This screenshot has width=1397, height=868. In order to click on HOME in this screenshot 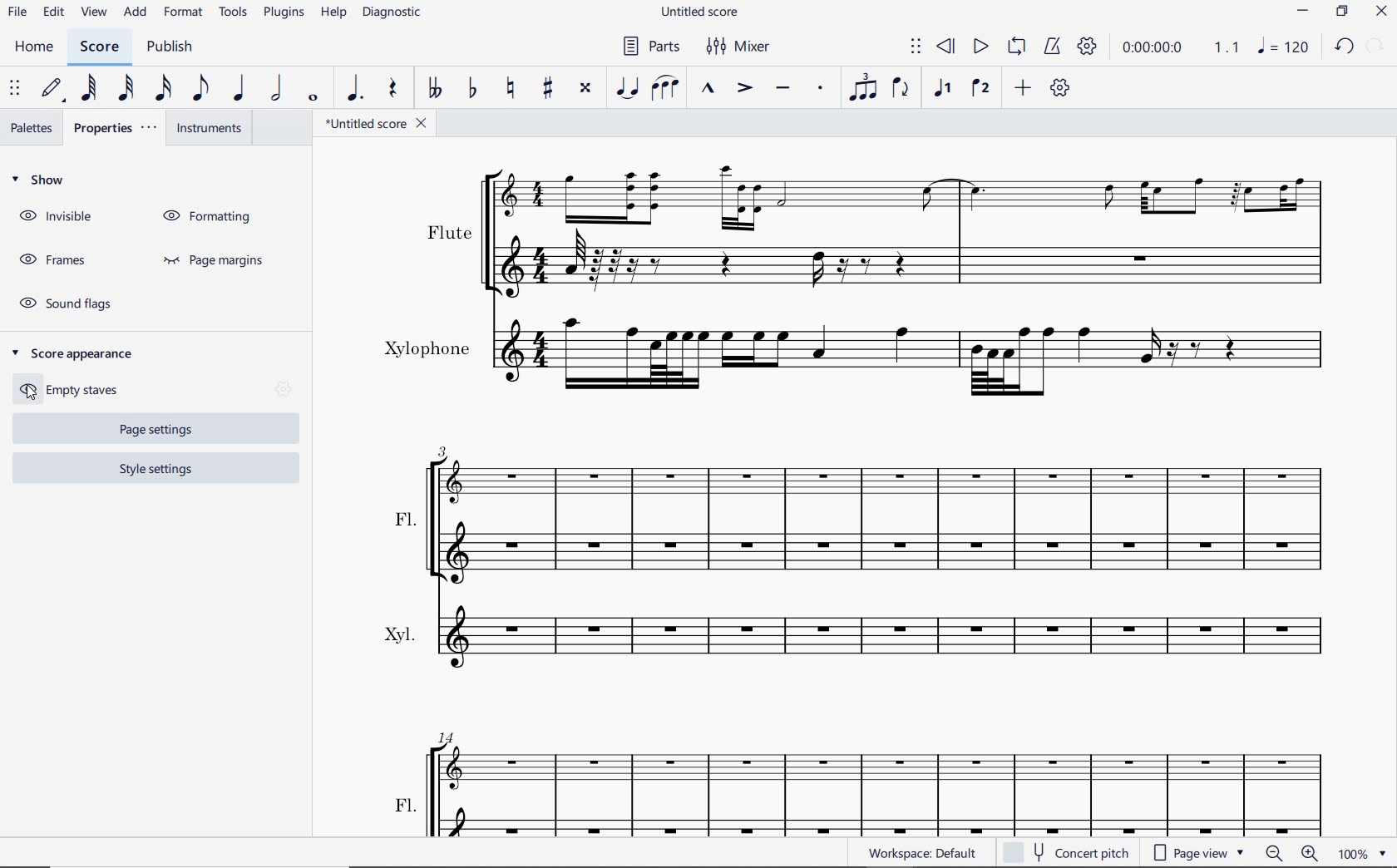, I will do `click(35, 47)`.